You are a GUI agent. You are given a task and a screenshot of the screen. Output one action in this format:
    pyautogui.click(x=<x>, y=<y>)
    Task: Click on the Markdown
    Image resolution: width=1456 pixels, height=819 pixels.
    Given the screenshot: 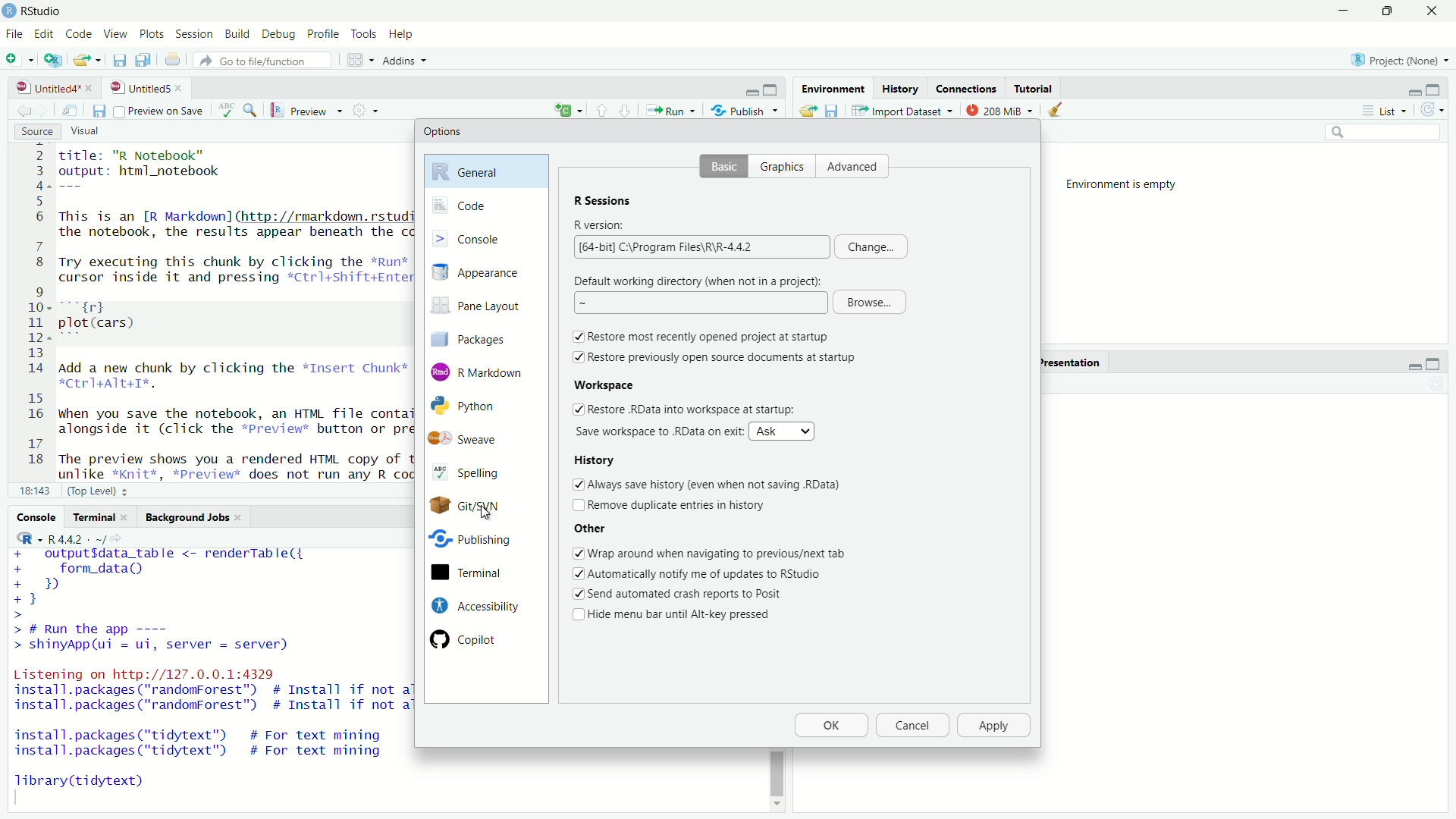 What is the action you would take?
    pyautogui.click(x=480, y=371)
    